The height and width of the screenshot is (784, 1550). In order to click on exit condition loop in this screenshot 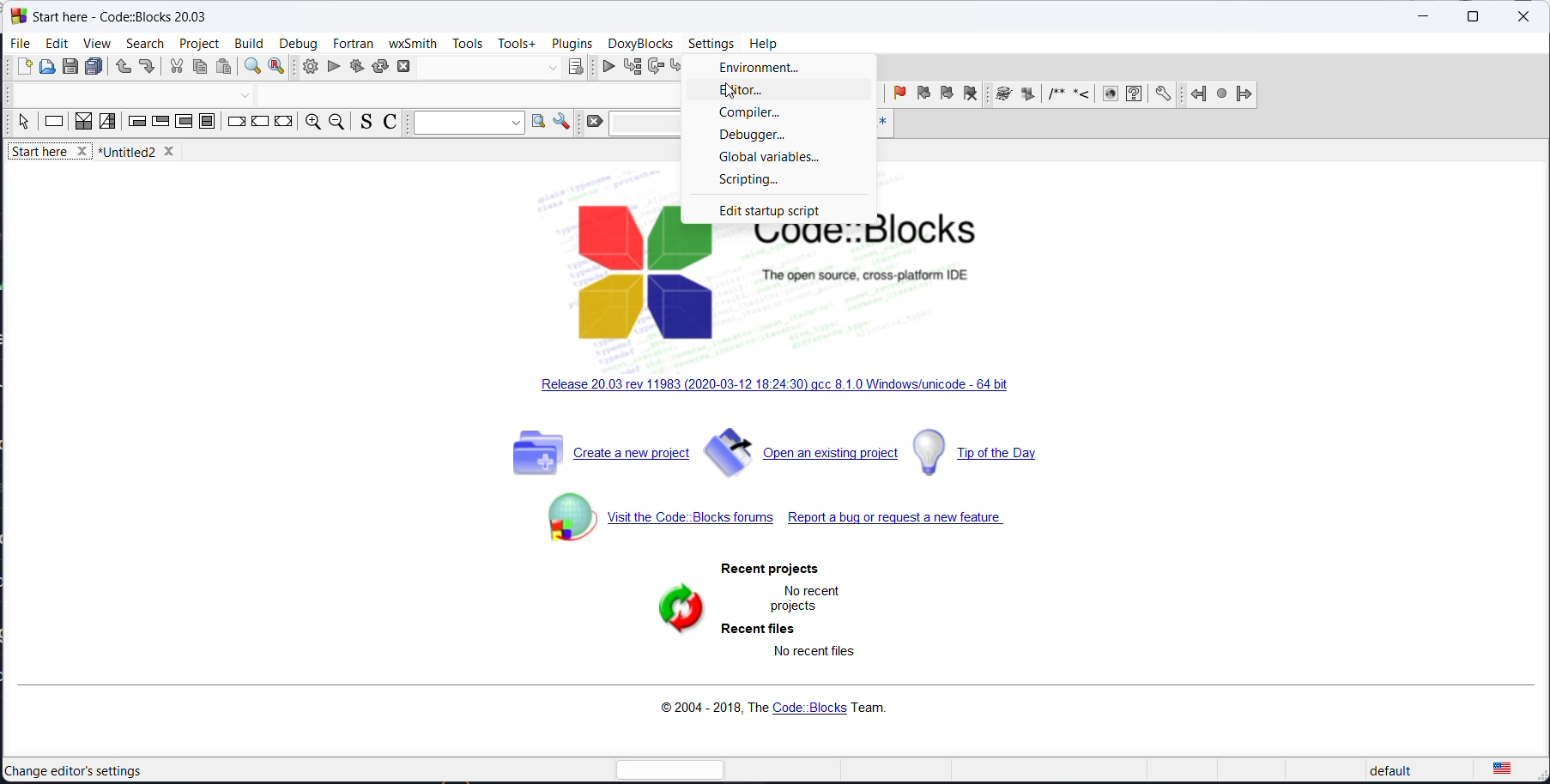, I will do `click(160, 124)`.